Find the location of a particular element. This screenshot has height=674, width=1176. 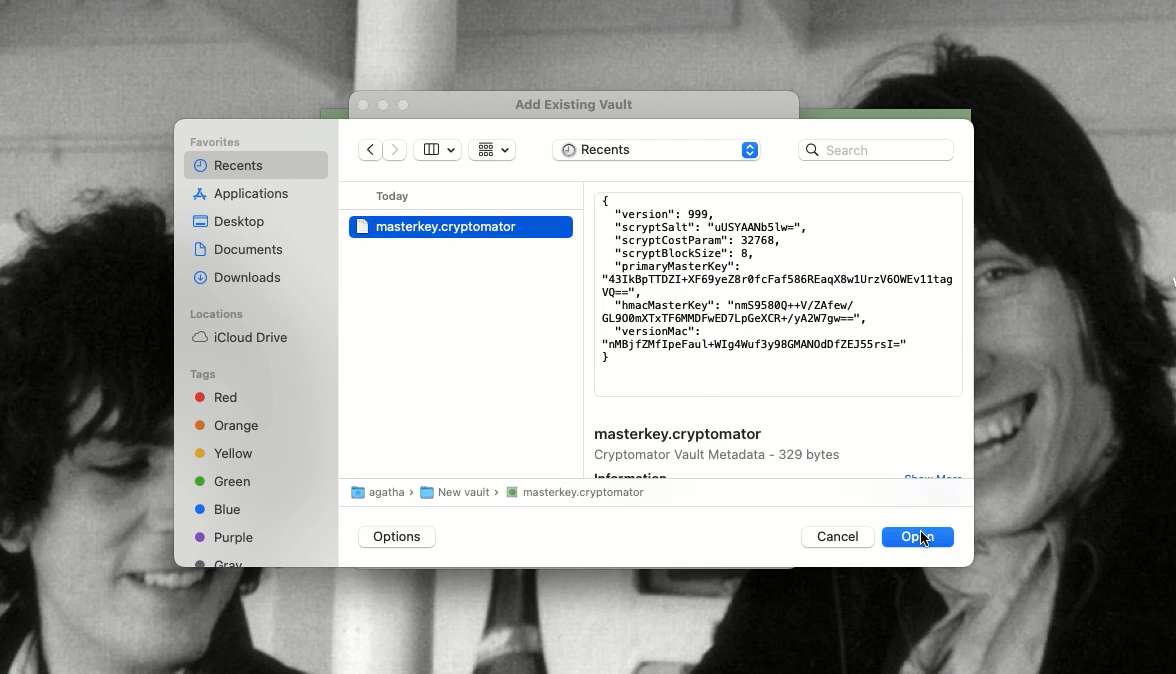

Orange is located at coordinates (228, 427).